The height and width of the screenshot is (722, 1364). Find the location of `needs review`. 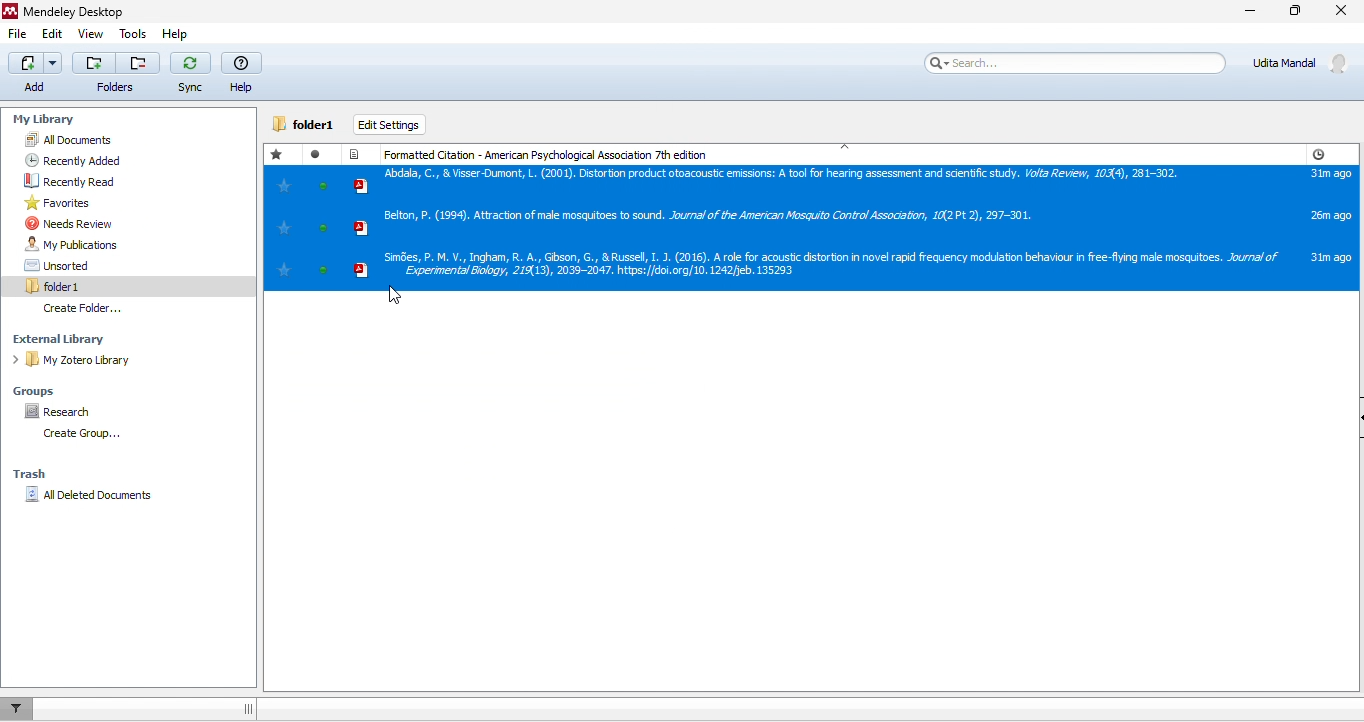

needs review is located at coordinates (70, 225).